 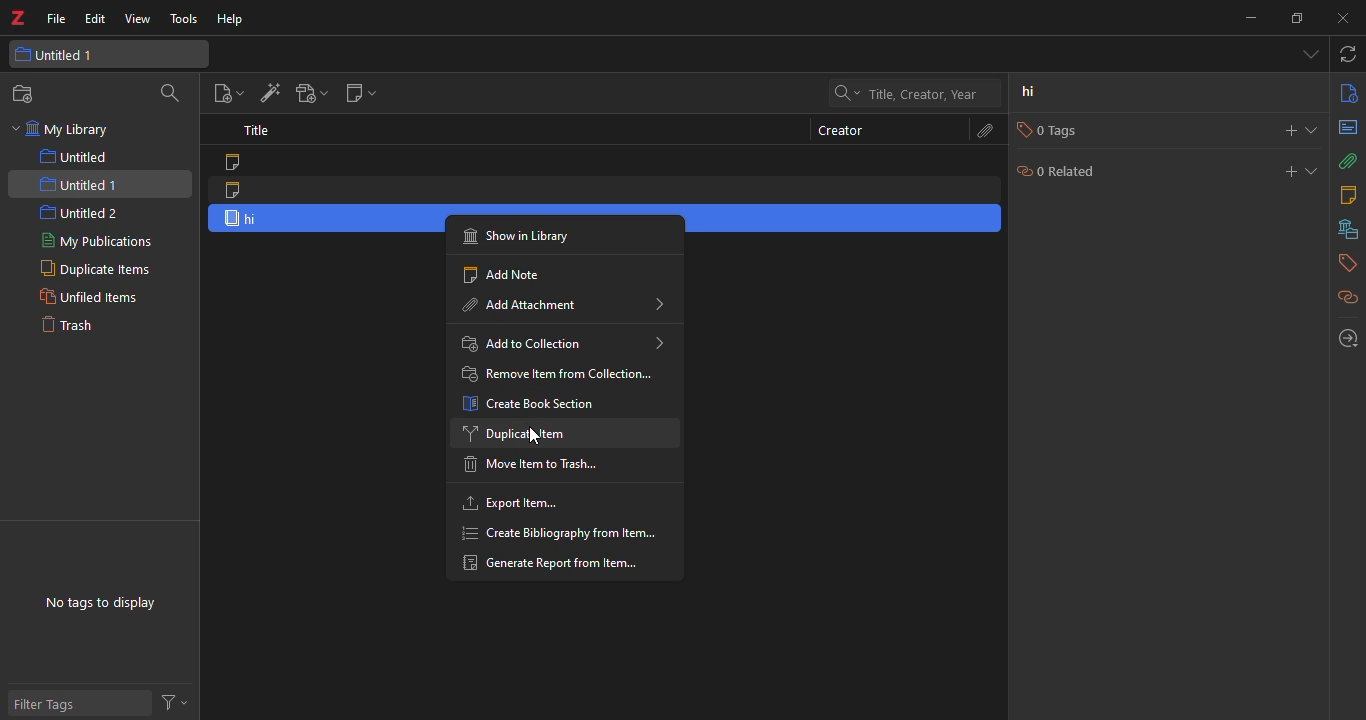 I want to click on view, so click(x=139, y=20).